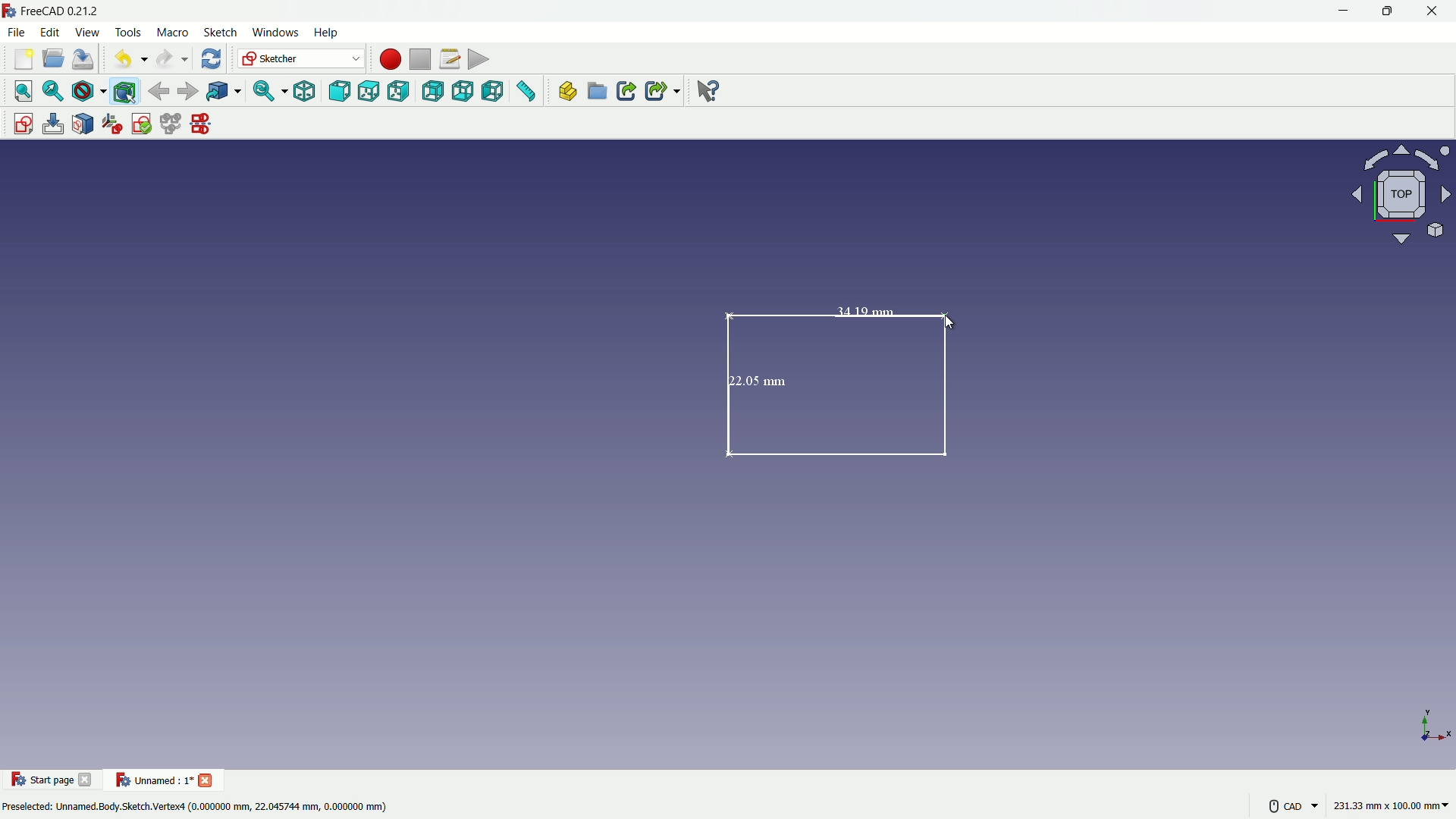 The height and width of the screenshot is (819, 1456). Describe the element at coordinates (42, 780) in the screenshot. I see `start page` at that location.